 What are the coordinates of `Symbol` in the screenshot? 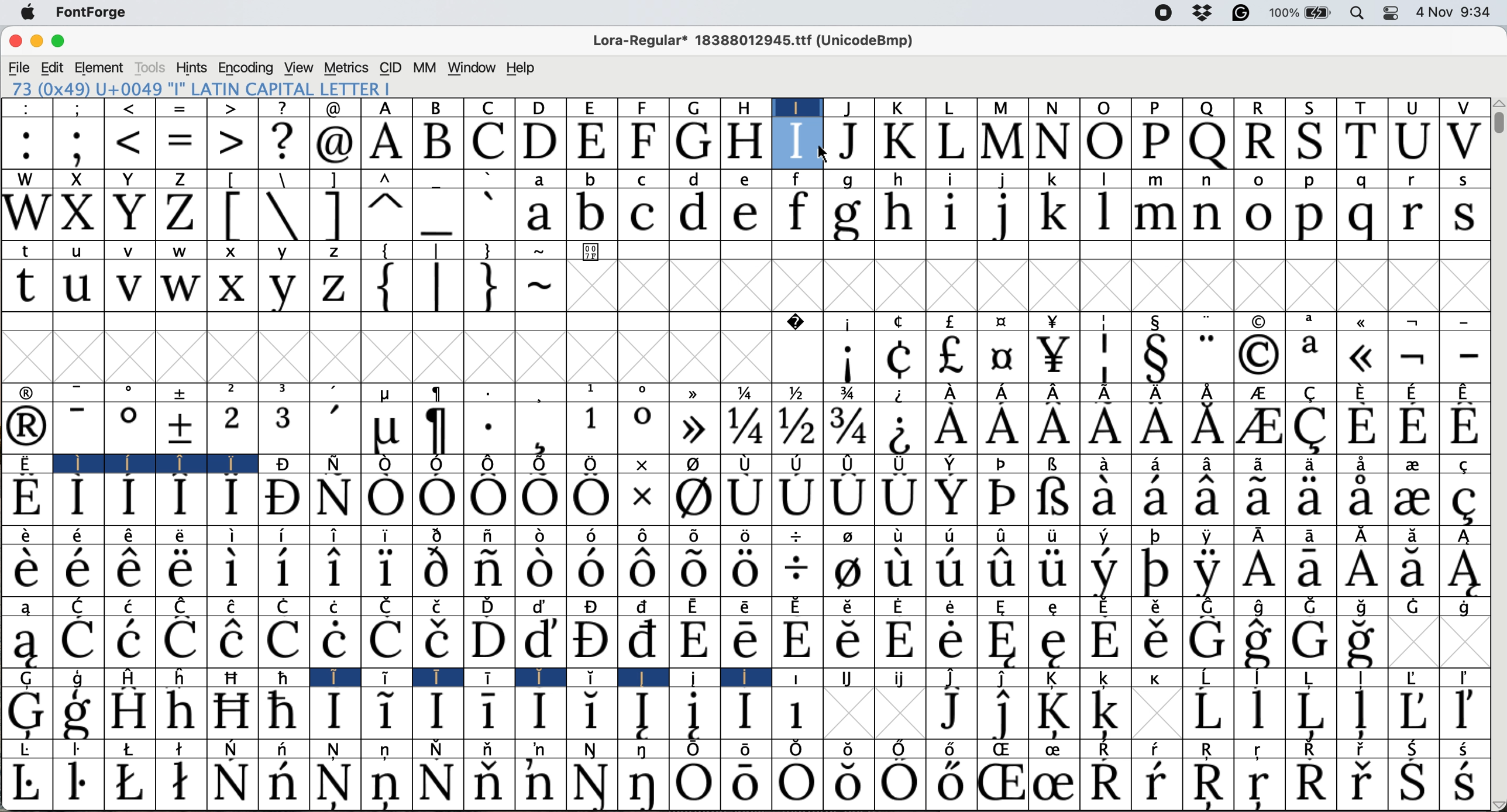 It's located at (1414, 391).